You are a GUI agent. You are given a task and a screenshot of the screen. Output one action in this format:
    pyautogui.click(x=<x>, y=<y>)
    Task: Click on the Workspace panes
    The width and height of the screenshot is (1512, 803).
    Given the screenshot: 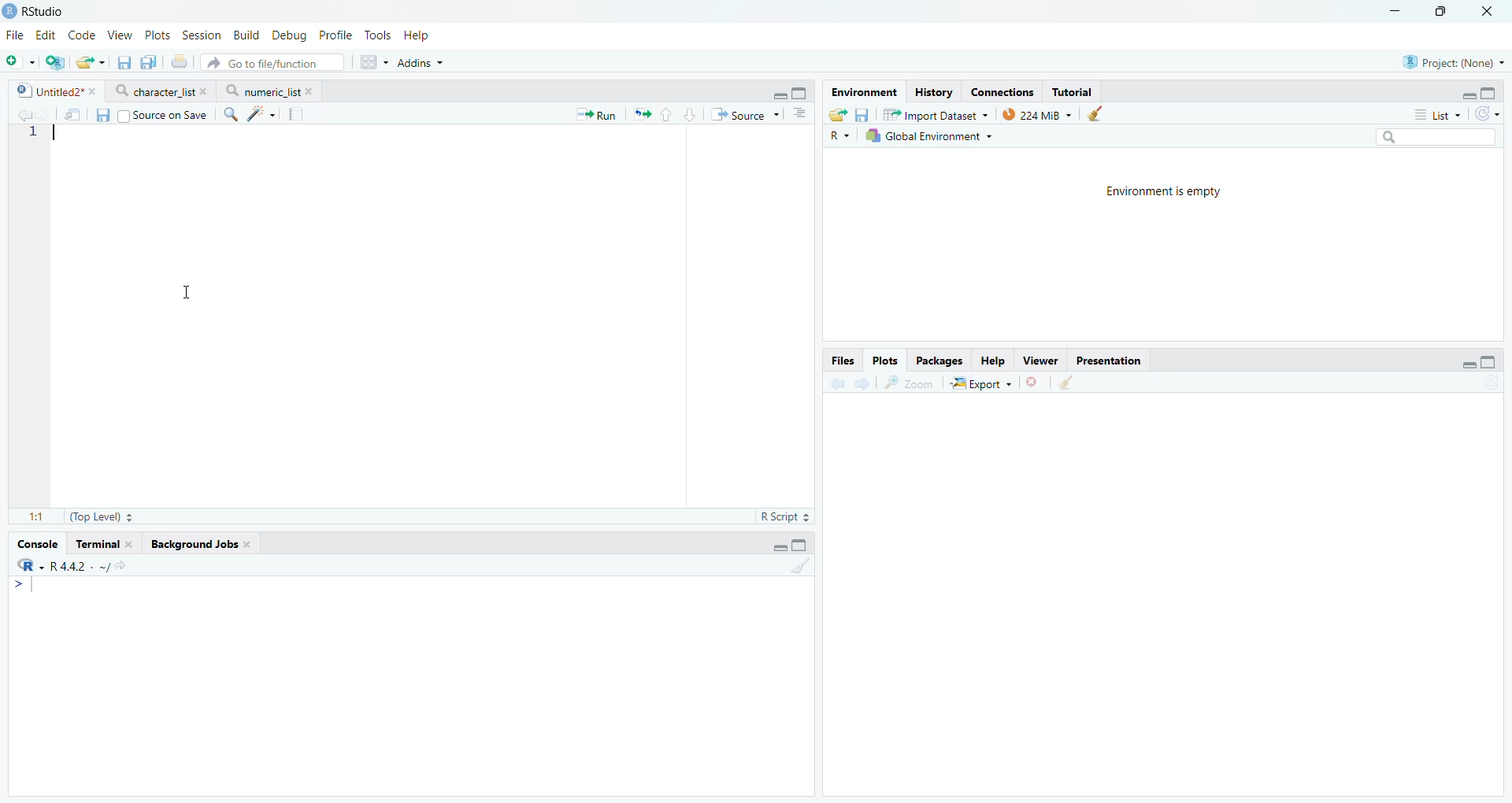 What is the action you would take?
    pyautogui.click(x=370, y=62)
    